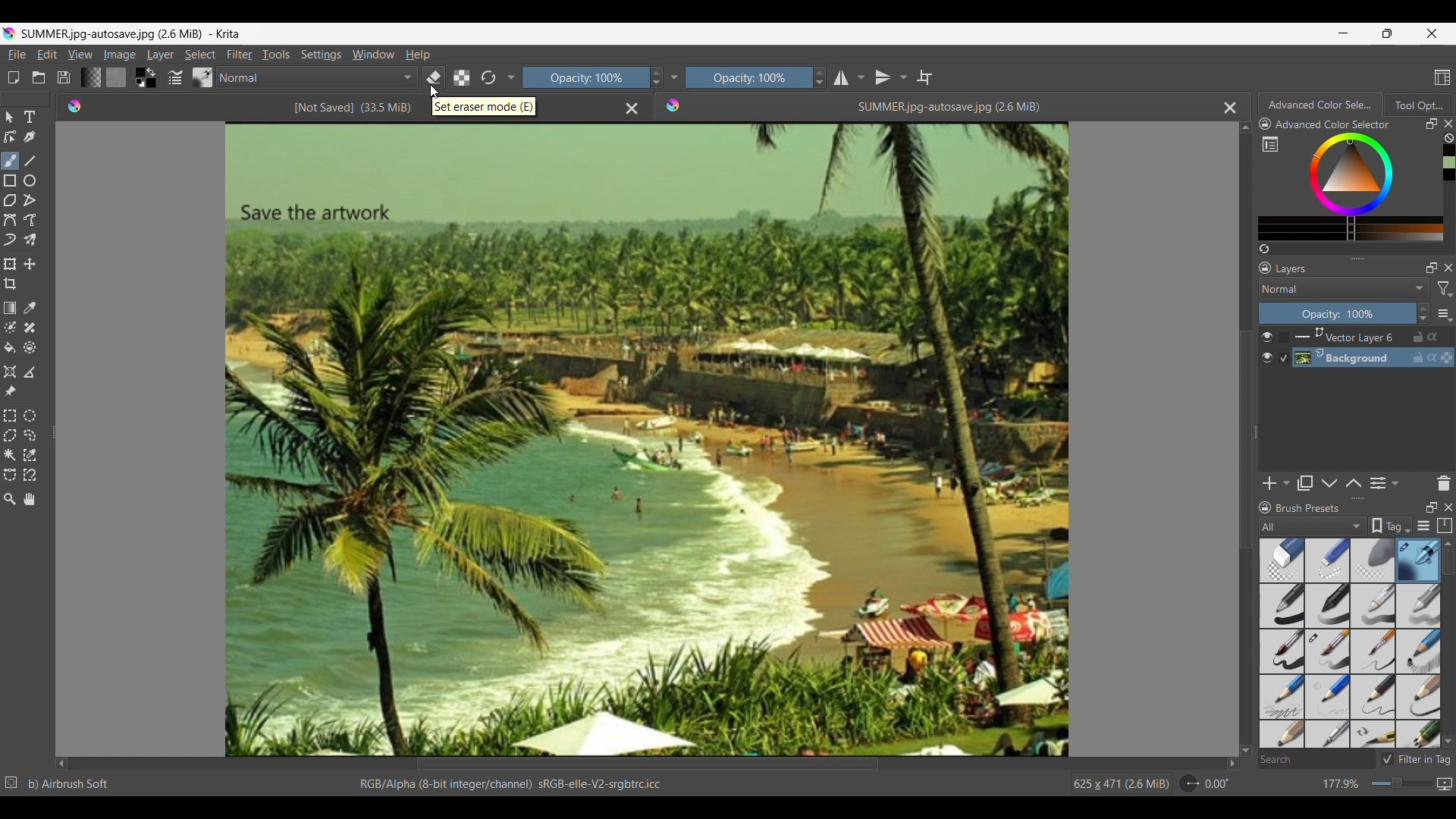  Describe the element at coordinates (1448, 644) in the screenshot. I see `Vertical slide bar for Brush presets panel` at that location.